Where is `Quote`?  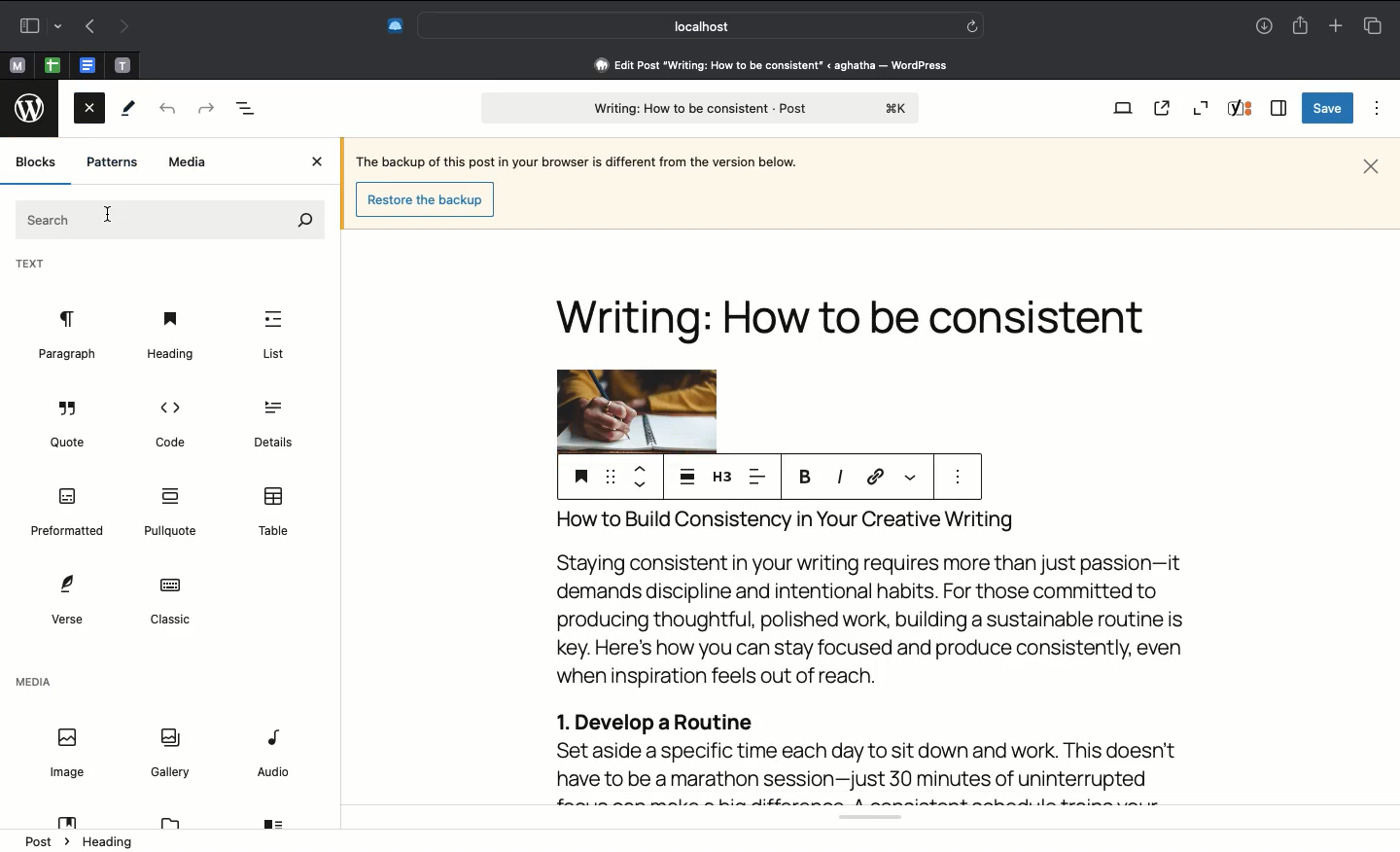 Quote is located at coordinates (70, 427).